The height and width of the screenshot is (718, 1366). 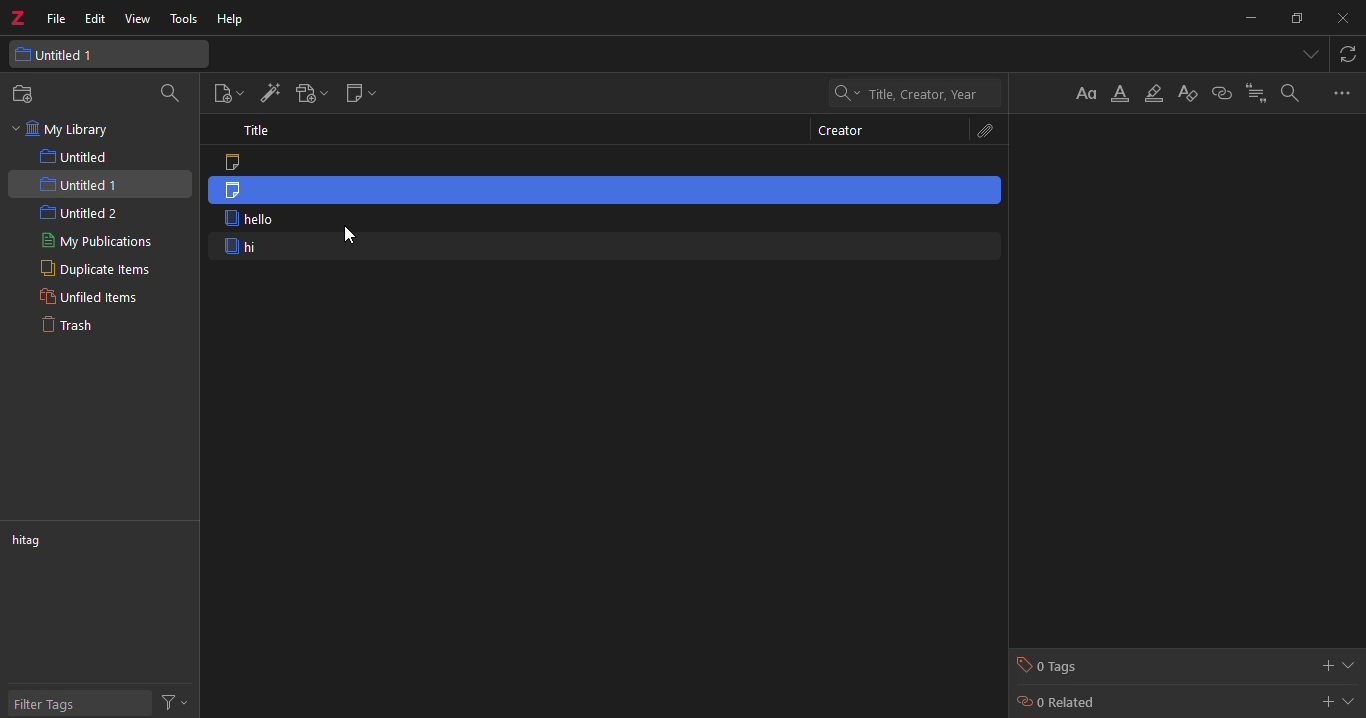 What do you see at coordinates (352, 233) in the screenshot?
I see `cursor` at bounding box center [352, 233].